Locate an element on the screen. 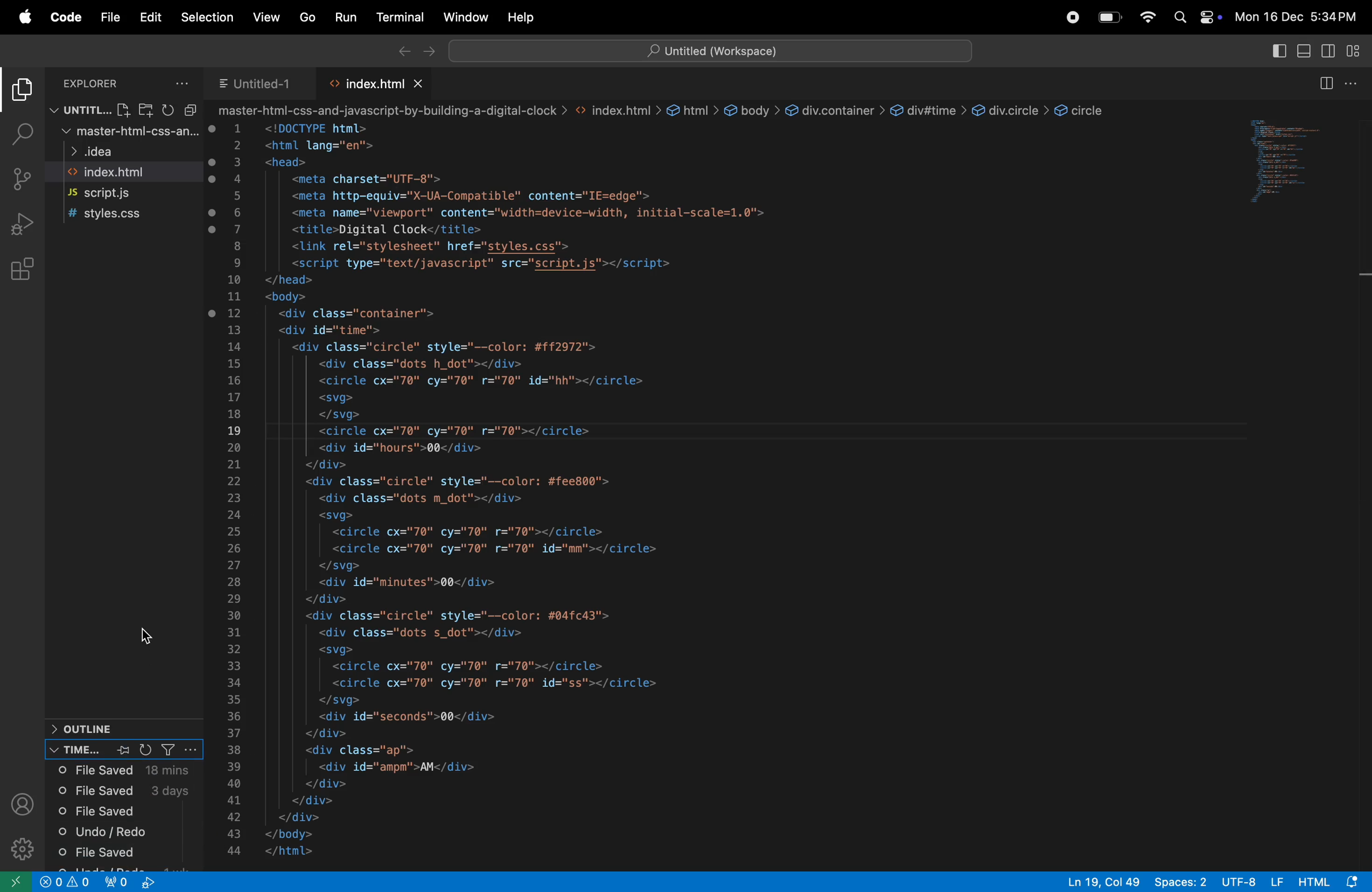 Image resolution: width=1372 pixels, height=892 pixels. <meta http-equiv="X-UA-Compatible" content="IE=edge"> is located at coordinates (474, 195).